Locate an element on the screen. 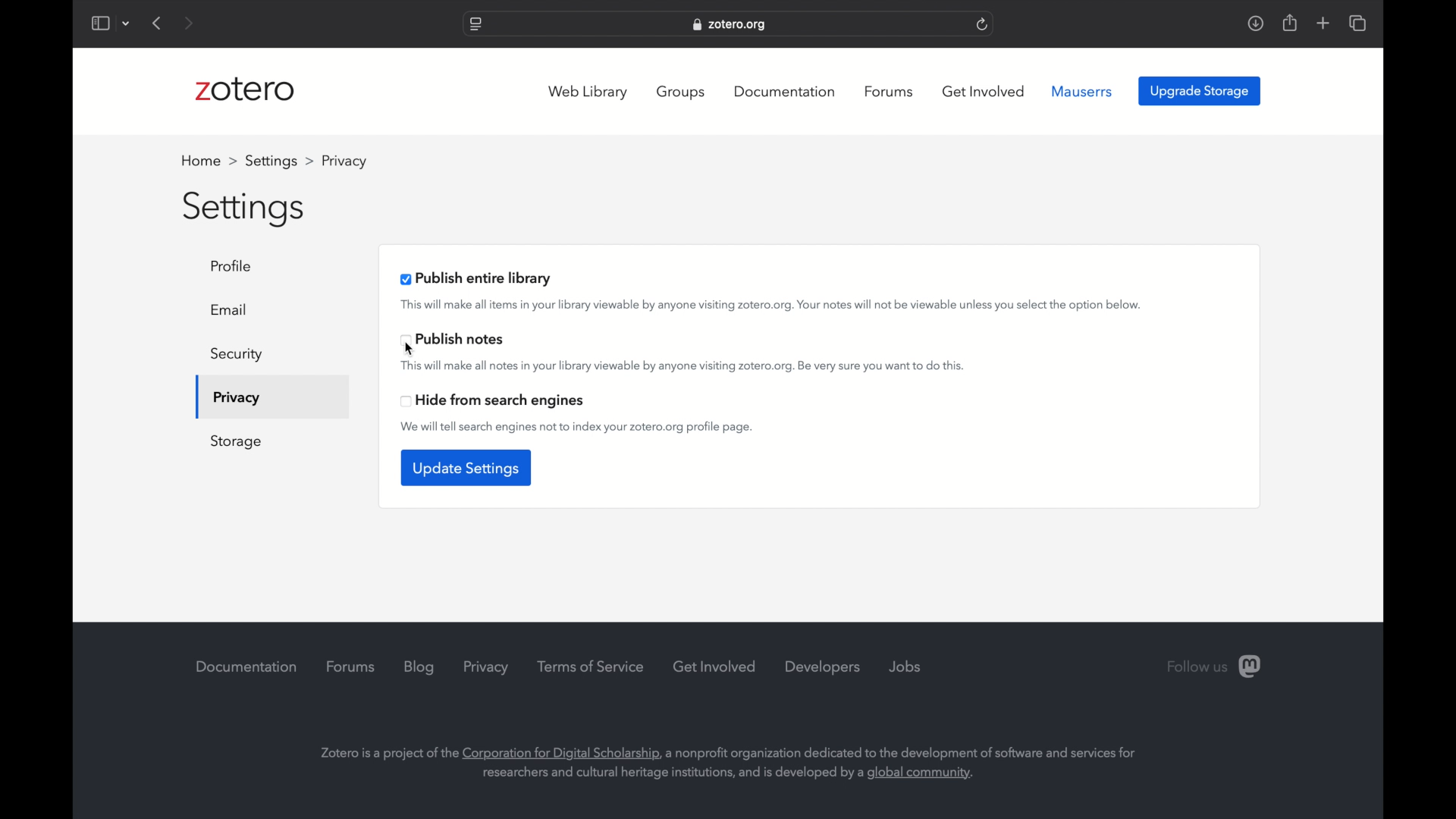 Image resolution: width=1456 pixels, height=819 pixels. profile is located at coordinates (235, 266).